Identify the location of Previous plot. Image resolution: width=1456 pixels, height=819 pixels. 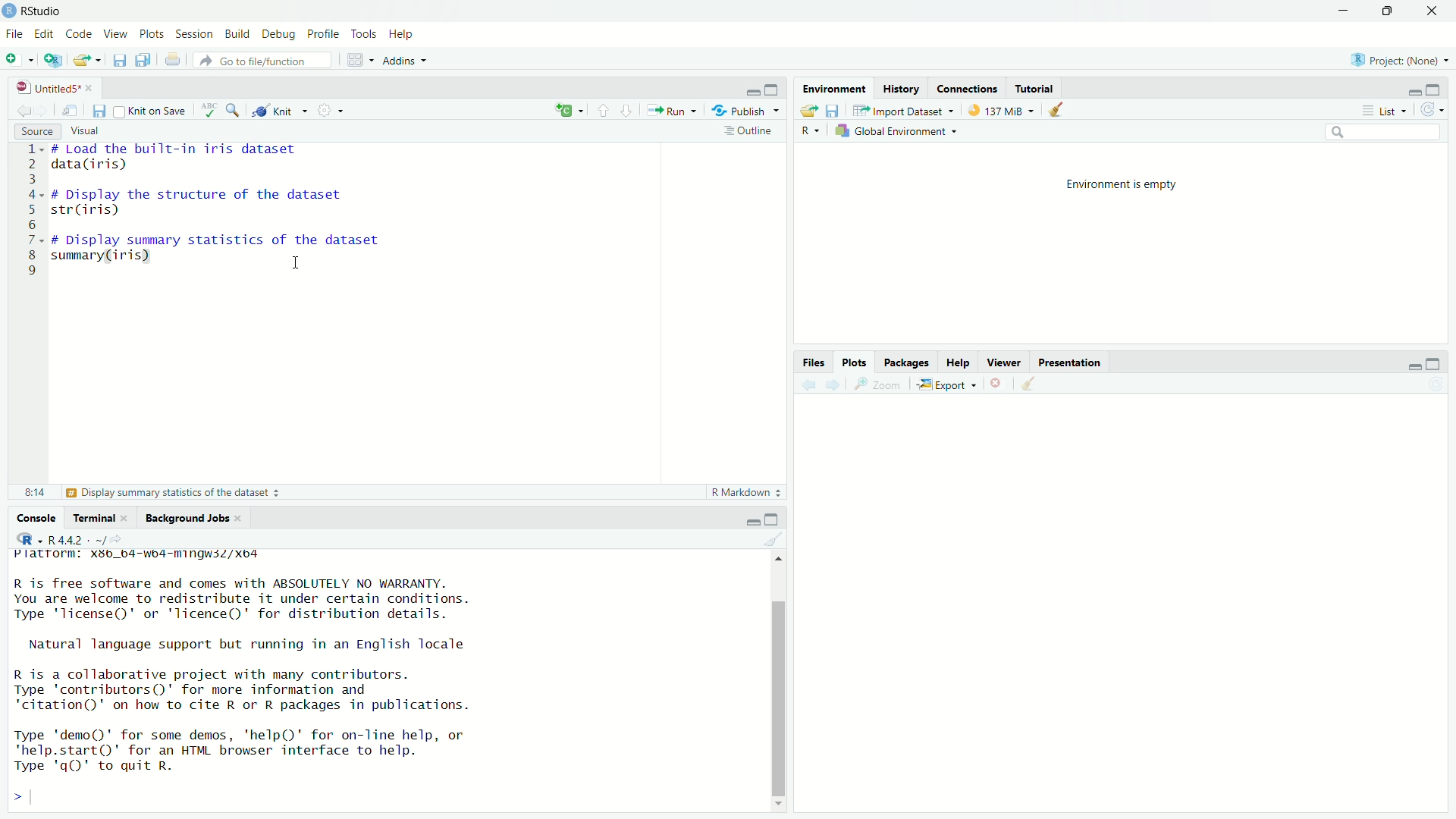
(808, 384).